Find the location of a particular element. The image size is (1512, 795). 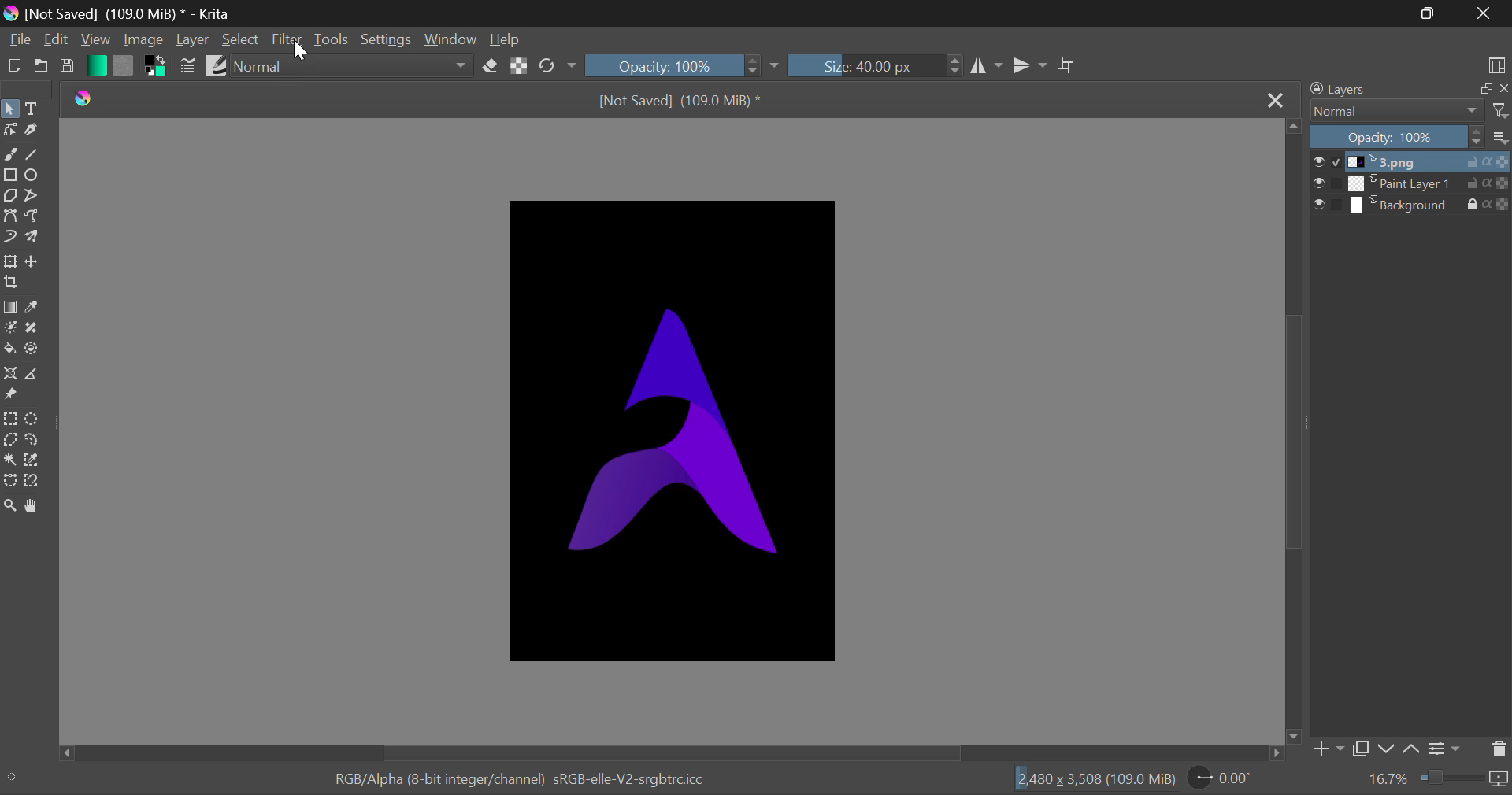

Scroll Bar is located at coordinates (1295, 431).